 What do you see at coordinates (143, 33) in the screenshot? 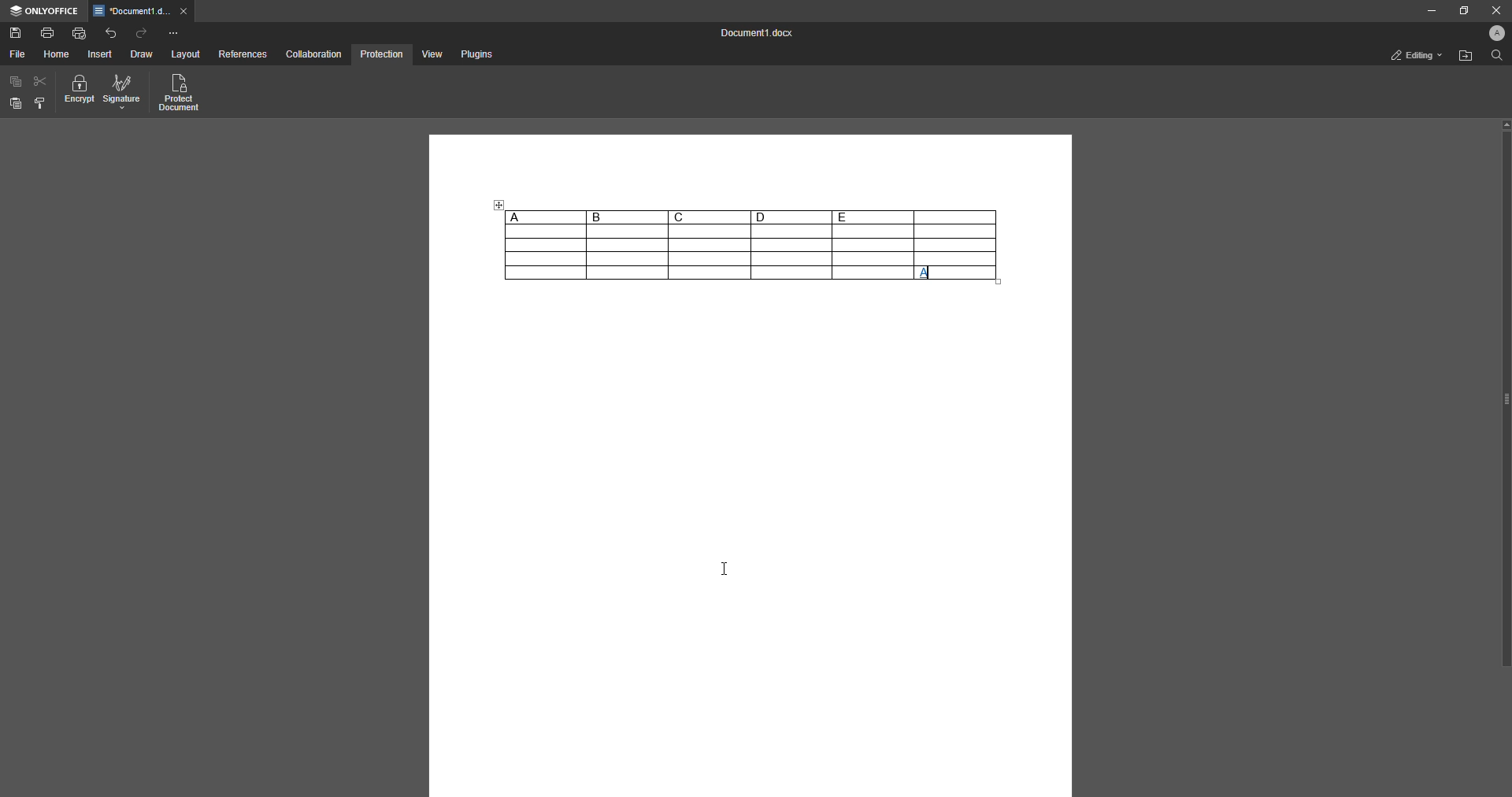
I see `Redo` at bounding box center [143, 33].